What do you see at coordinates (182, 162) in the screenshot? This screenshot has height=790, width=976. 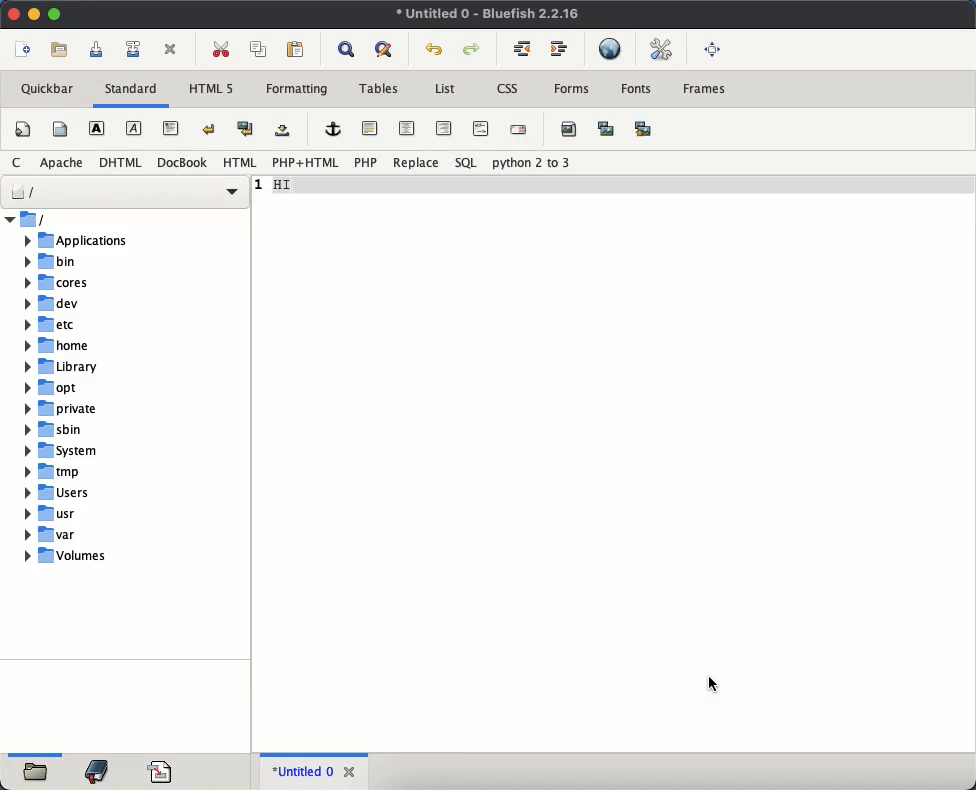 I see `DocBook` at bounding box center [182, 162].